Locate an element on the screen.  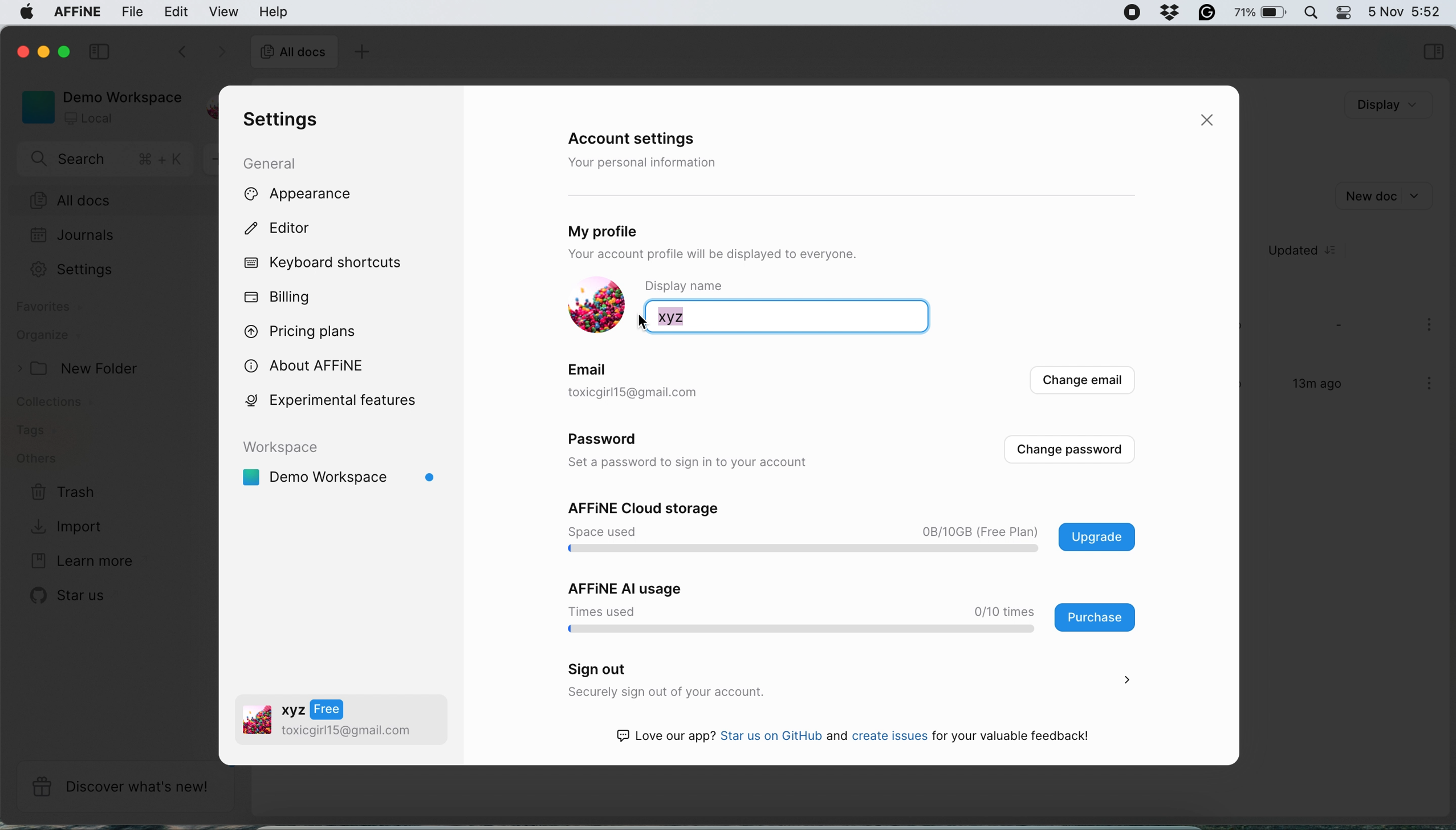
email is located at coordinates (590, 368).